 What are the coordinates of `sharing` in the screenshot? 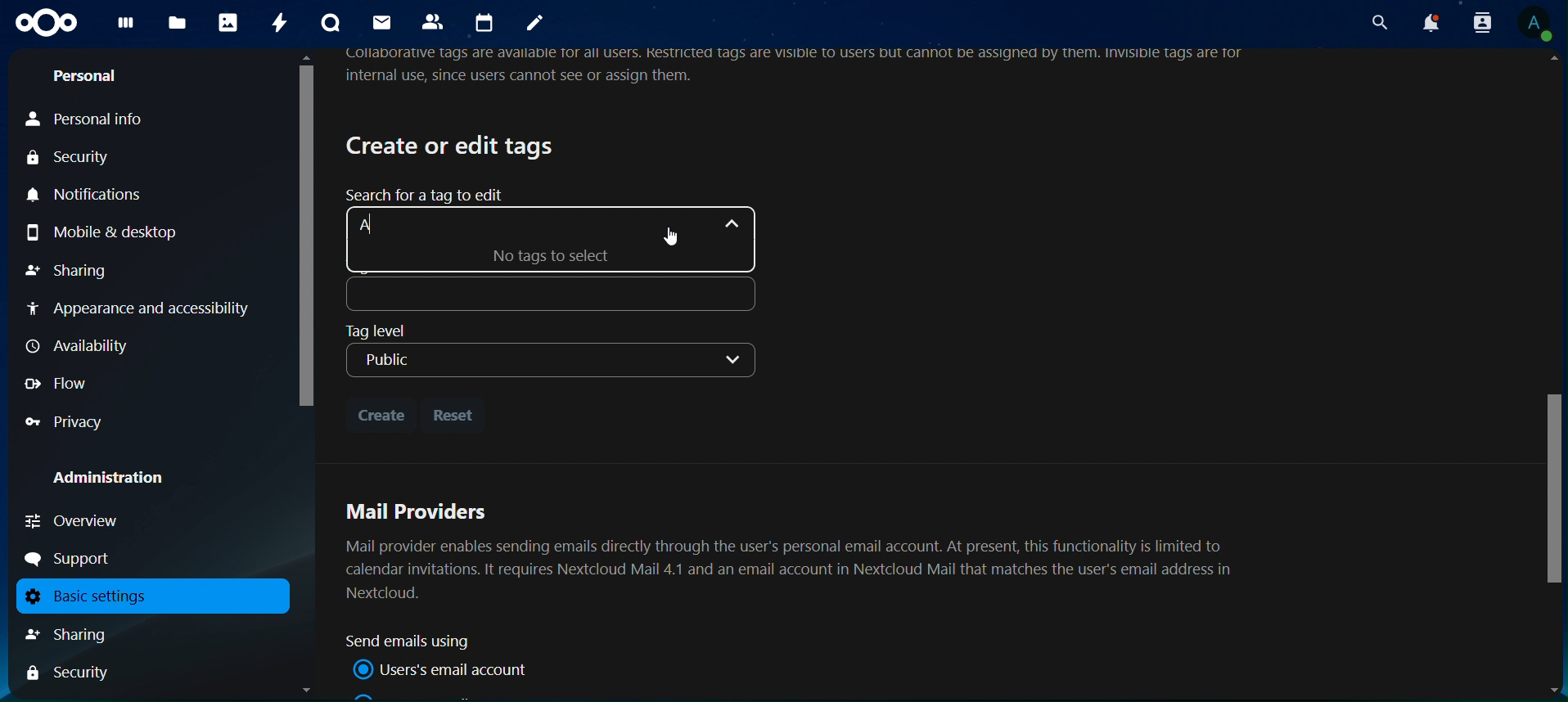 It's located at (70, 269).